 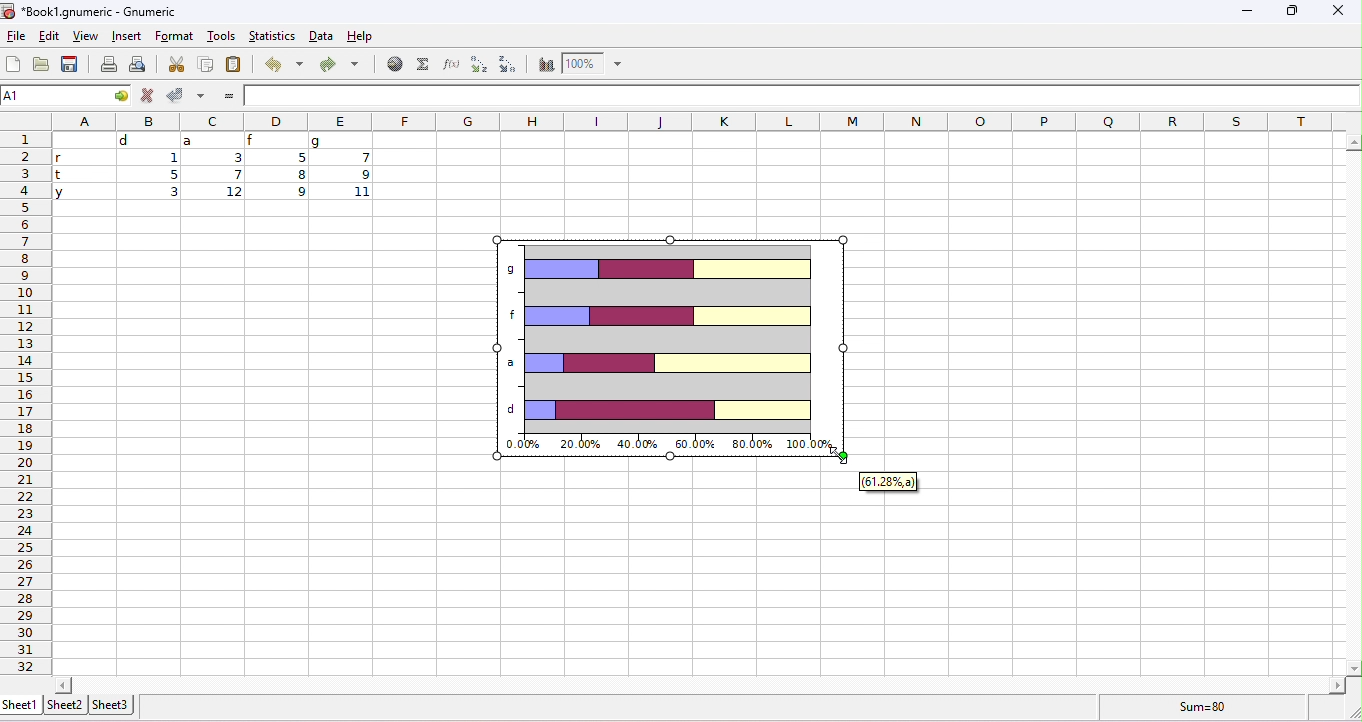 I want to click on select function, so click(x=421, y=64).